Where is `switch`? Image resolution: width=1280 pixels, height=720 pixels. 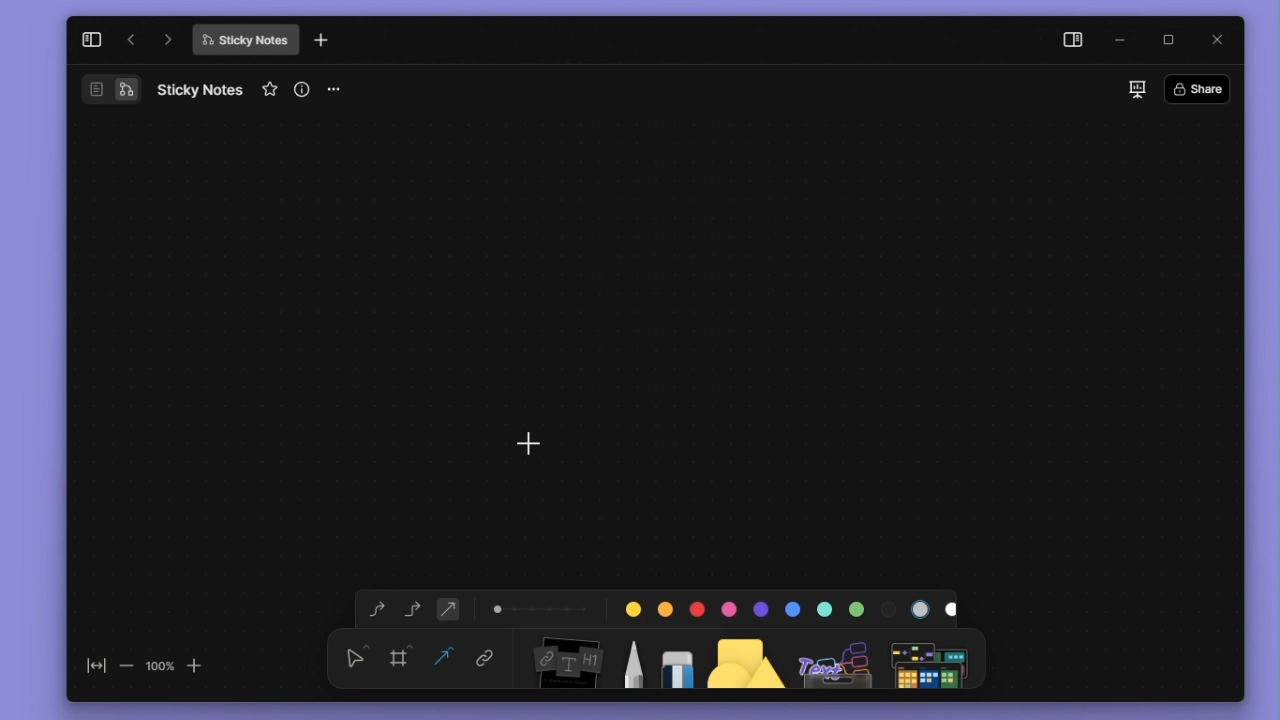
switch is located at coordinates (110, 89).